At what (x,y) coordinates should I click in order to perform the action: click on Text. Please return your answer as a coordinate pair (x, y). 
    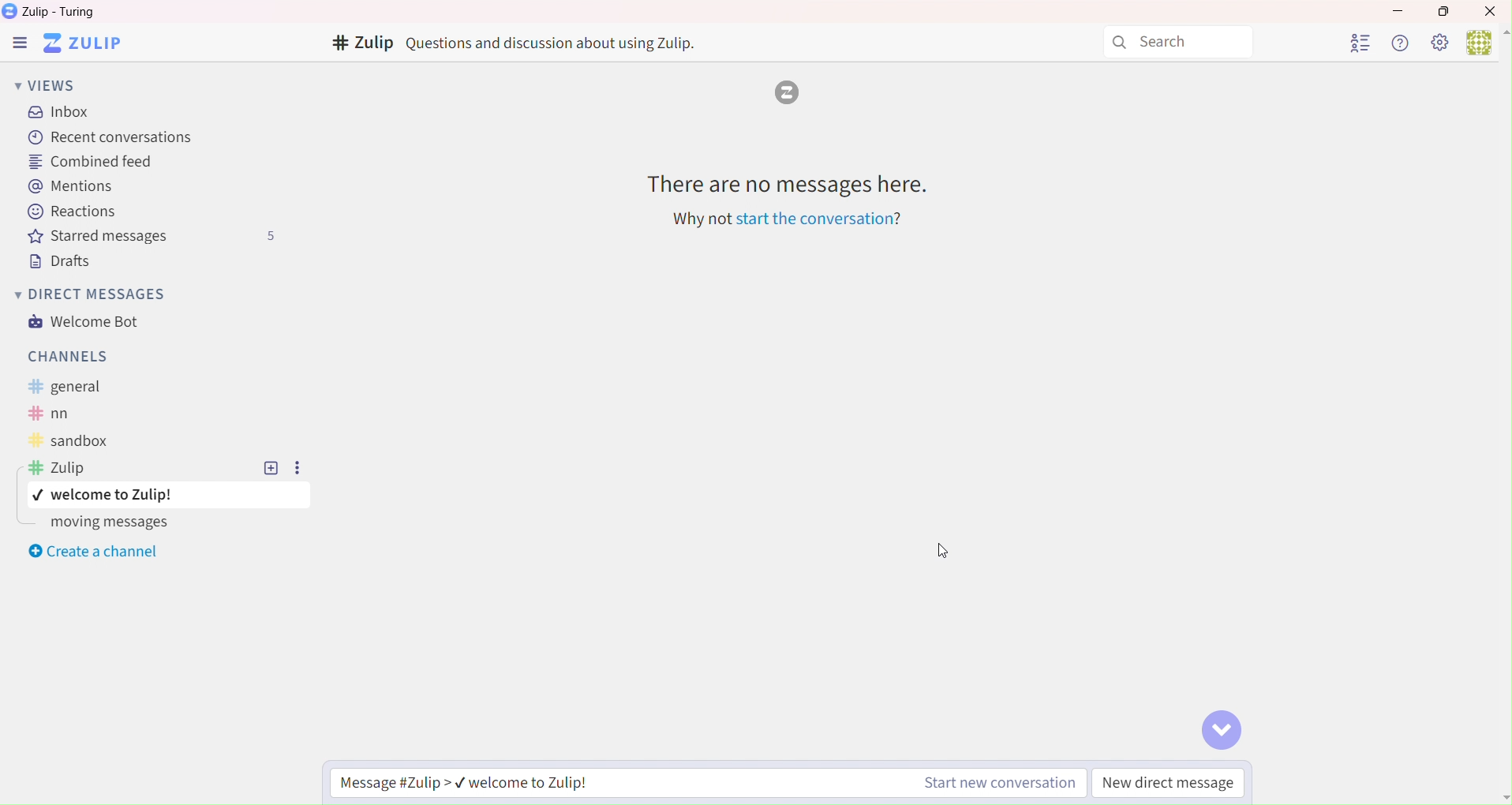
    Looking at the image, I should click on (69, 468).